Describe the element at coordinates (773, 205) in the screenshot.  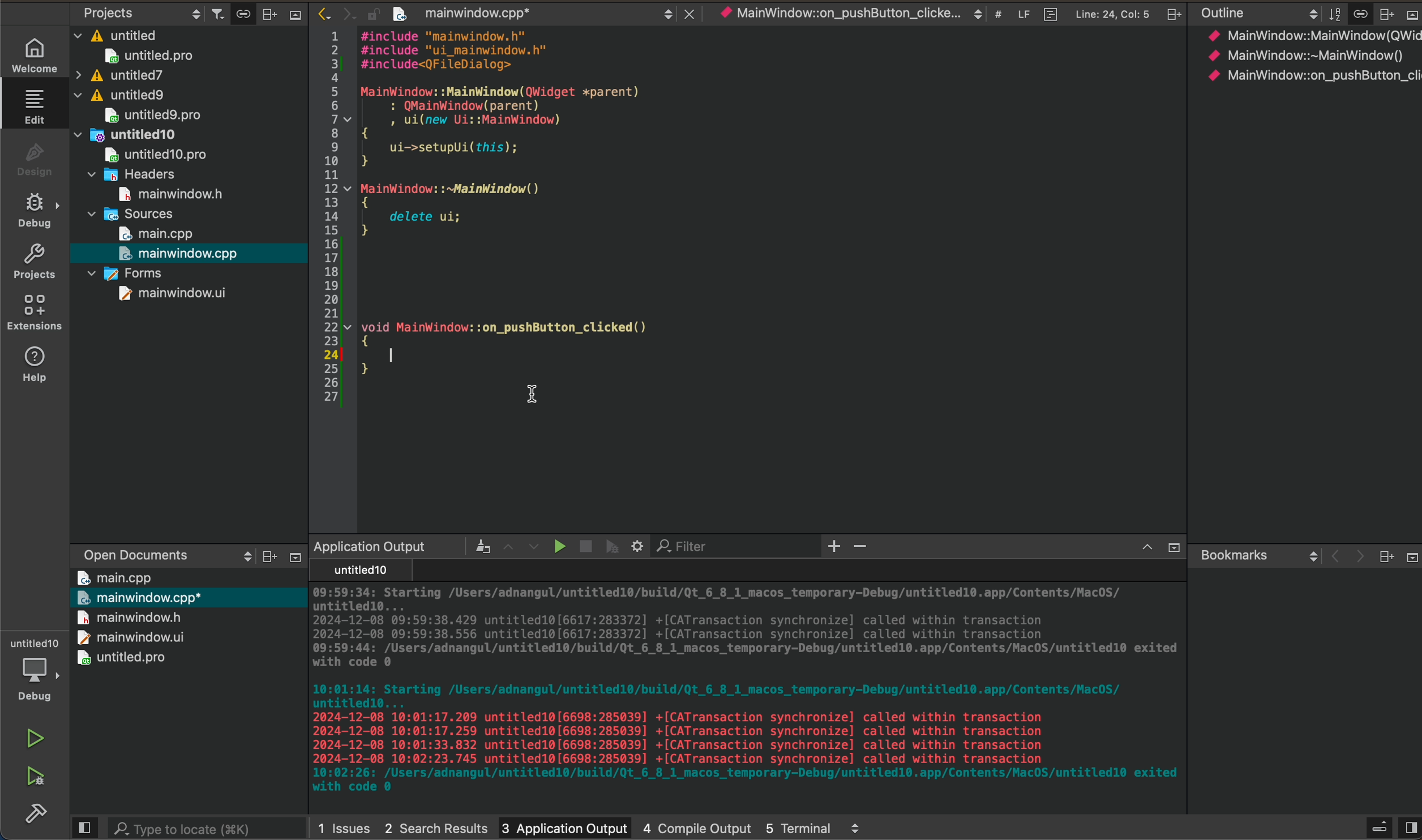
I see `file content` at that location.